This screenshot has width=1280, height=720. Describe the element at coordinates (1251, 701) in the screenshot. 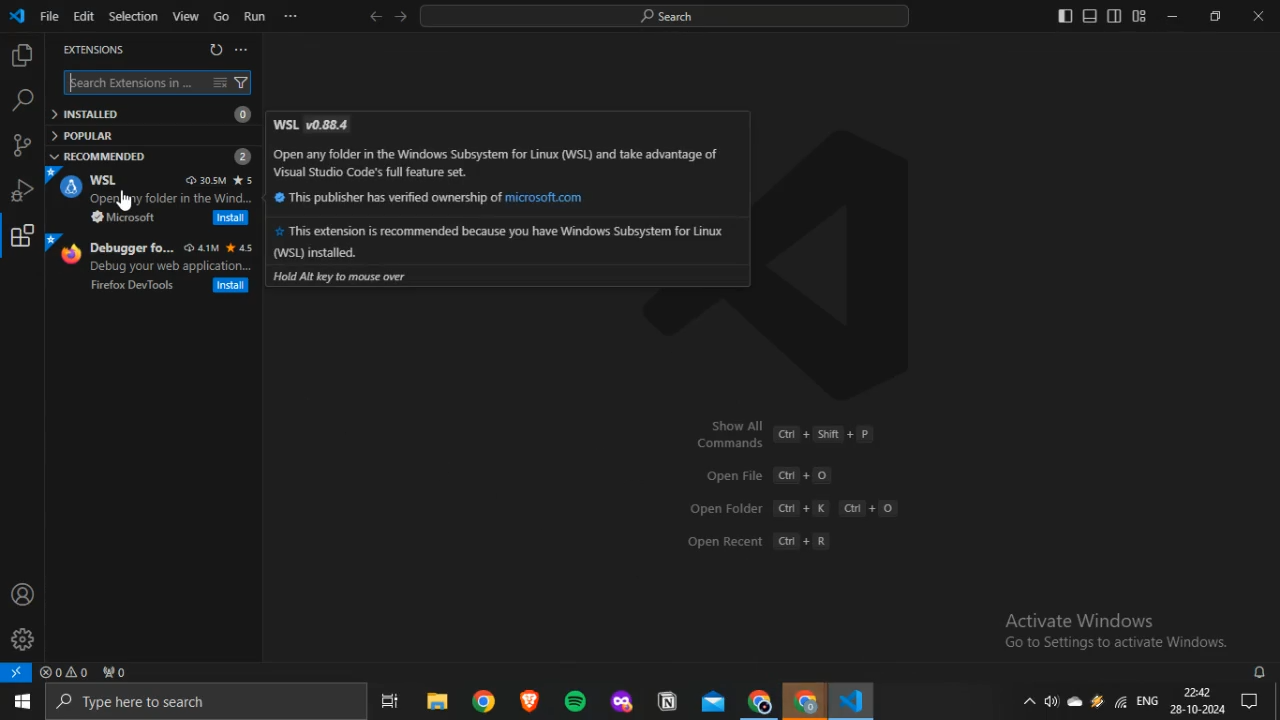

I see `Notifications` at that location.